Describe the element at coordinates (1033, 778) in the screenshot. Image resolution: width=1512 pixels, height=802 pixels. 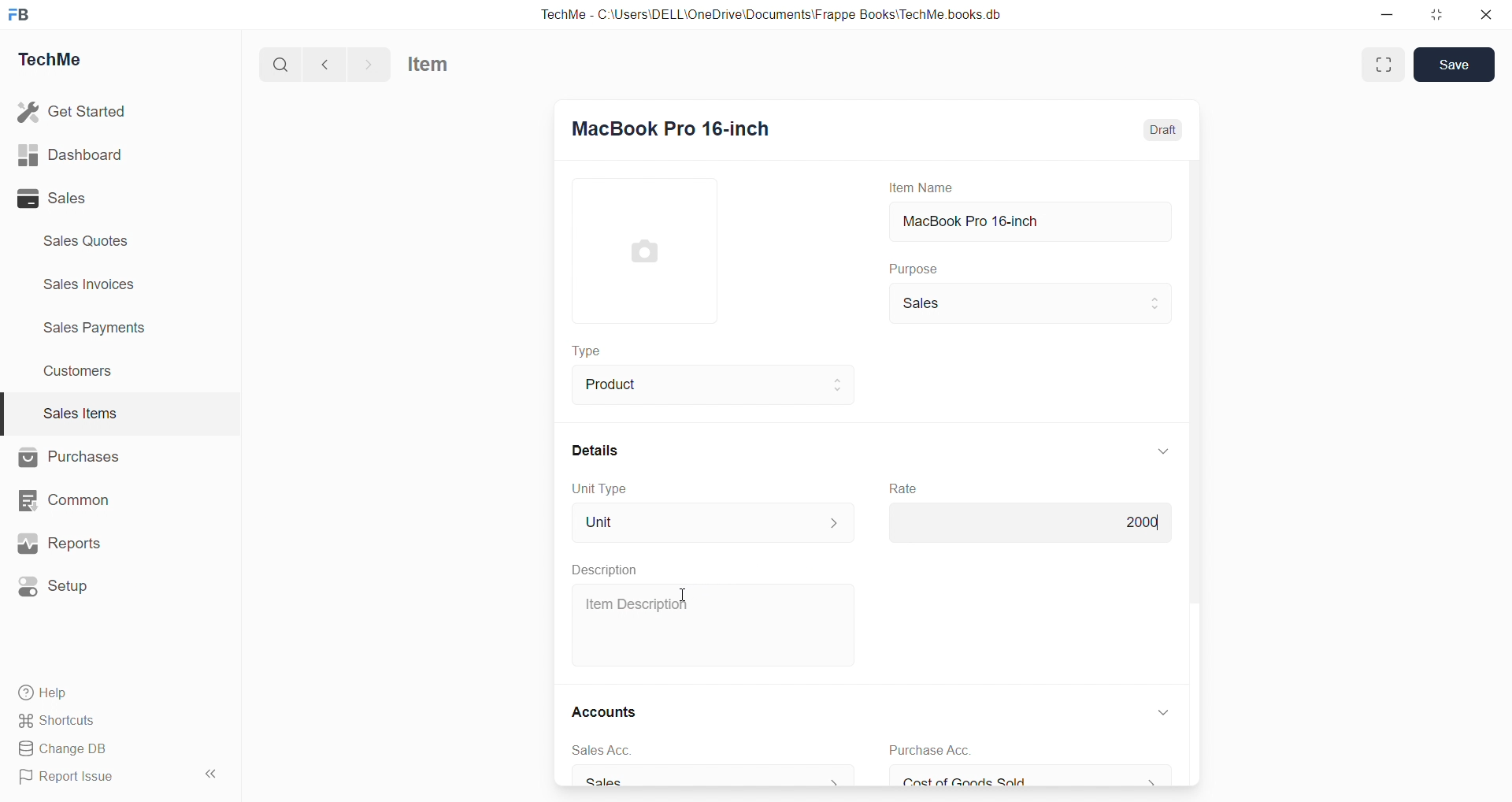
I see `Cost of Goods Sold` at that location.